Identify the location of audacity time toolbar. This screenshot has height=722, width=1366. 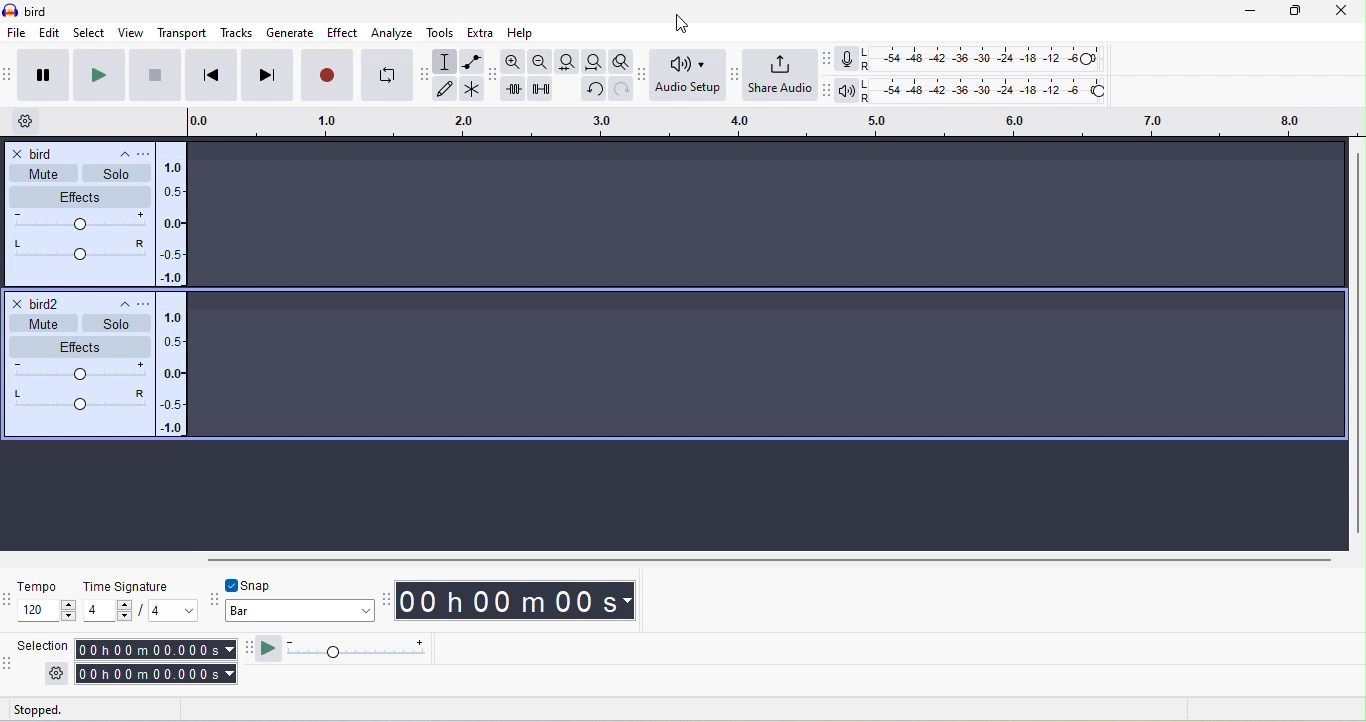
(388, 602).